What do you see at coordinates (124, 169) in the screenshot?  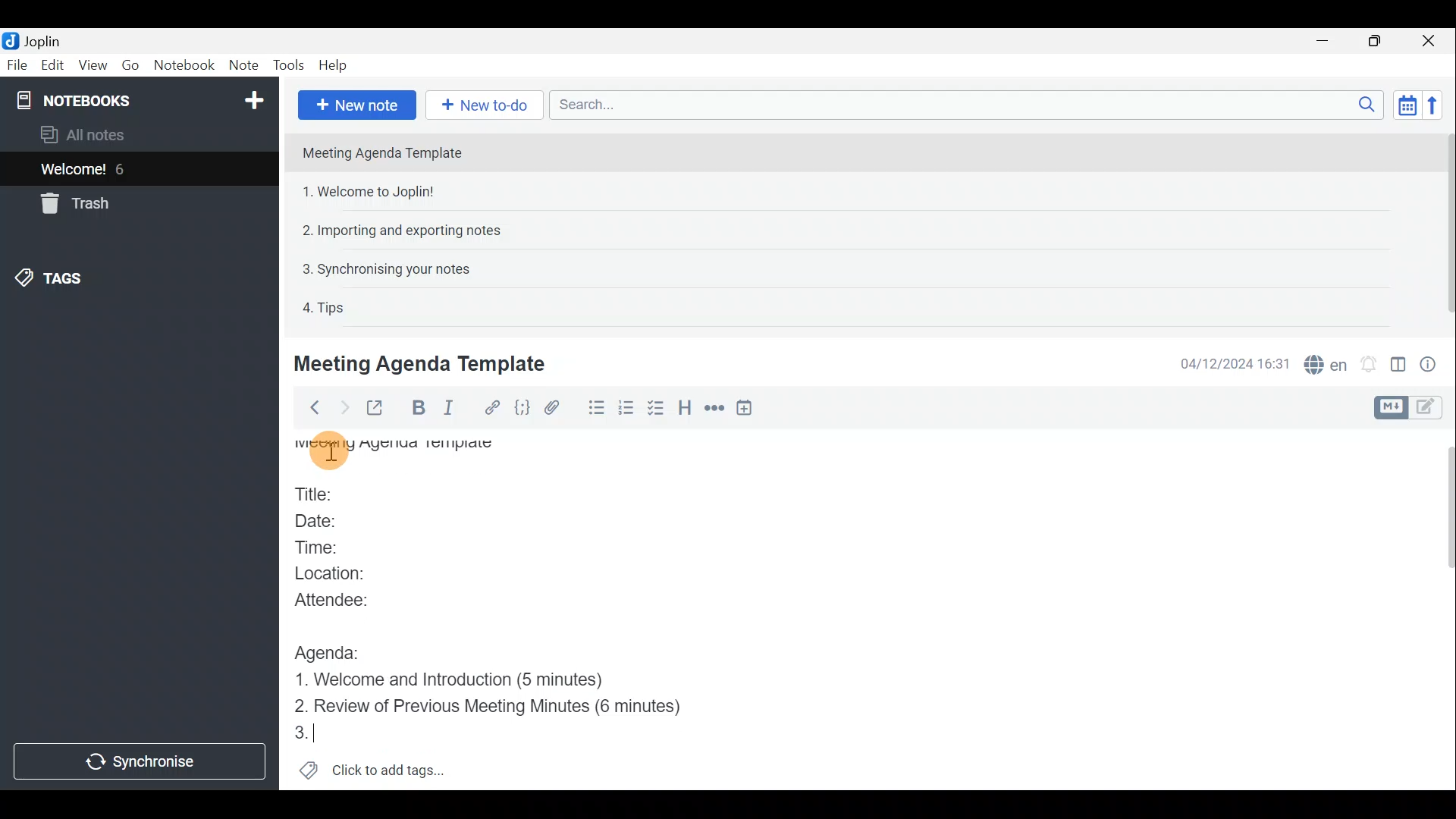 I see `6` at bounding box center [124, 169].